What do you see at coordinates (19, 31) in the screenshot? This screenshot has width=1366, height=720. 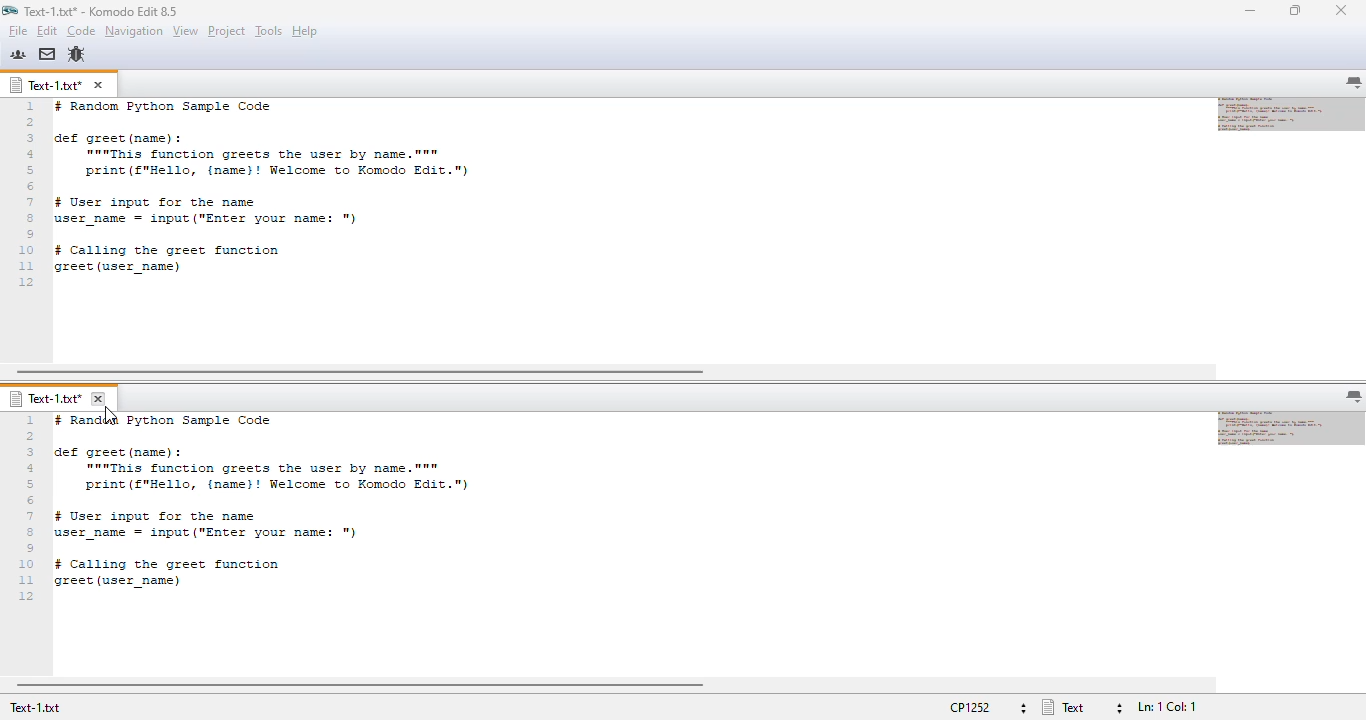 I see `file` at bounding box center [19, 31].